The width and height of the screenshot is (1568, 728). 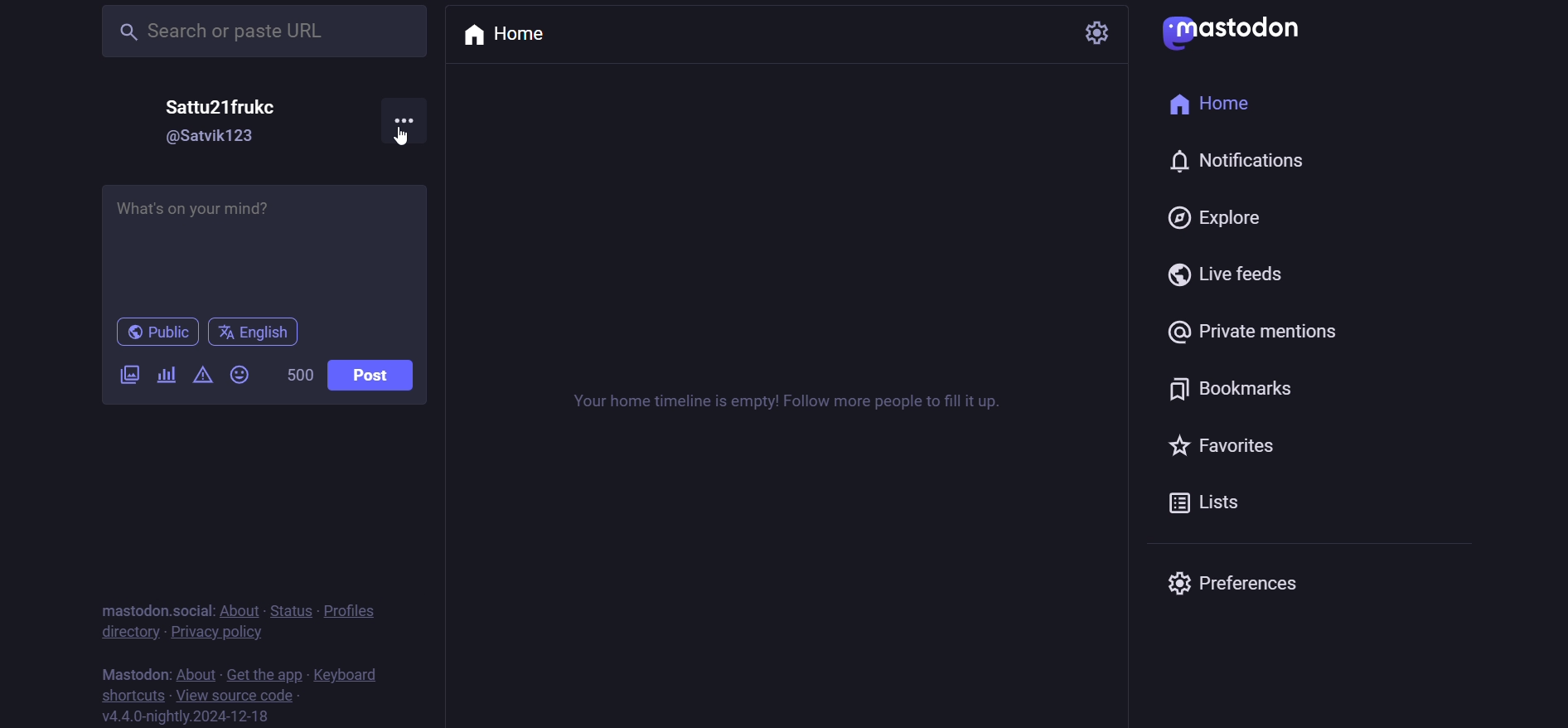 What do you see at coordinates (1239, 387) in the screenshot?
I see `bookmark` at bounding box center [1239, 387].